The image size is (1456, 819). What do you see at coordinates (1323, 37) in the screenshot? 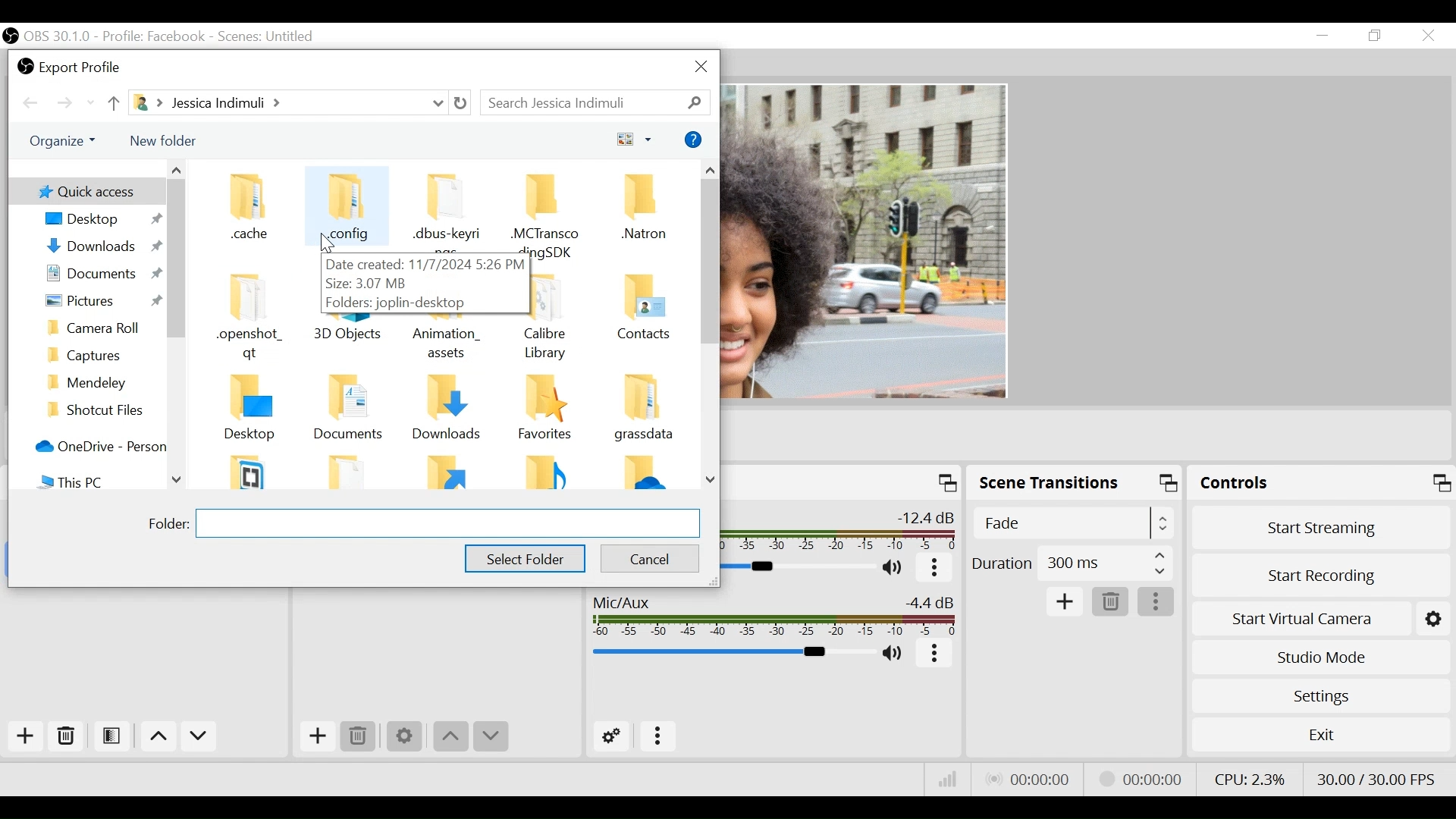
I see `minimize` at bounding box center [1323, 37].